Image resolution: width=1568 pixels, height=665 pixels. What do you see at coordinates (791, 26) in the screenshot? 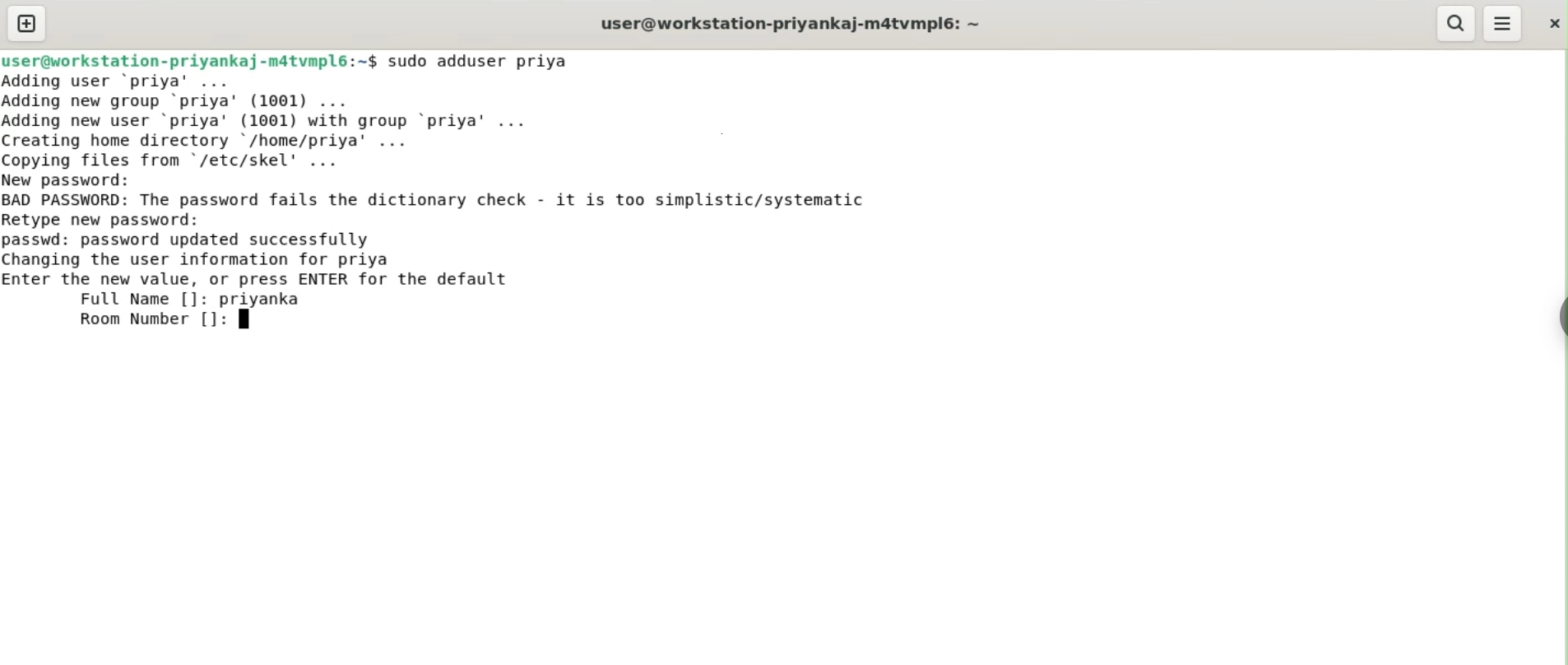
I see `user@workstation-priyankaj-m4tvmpl6: ~` at bounding box center [791, 26].